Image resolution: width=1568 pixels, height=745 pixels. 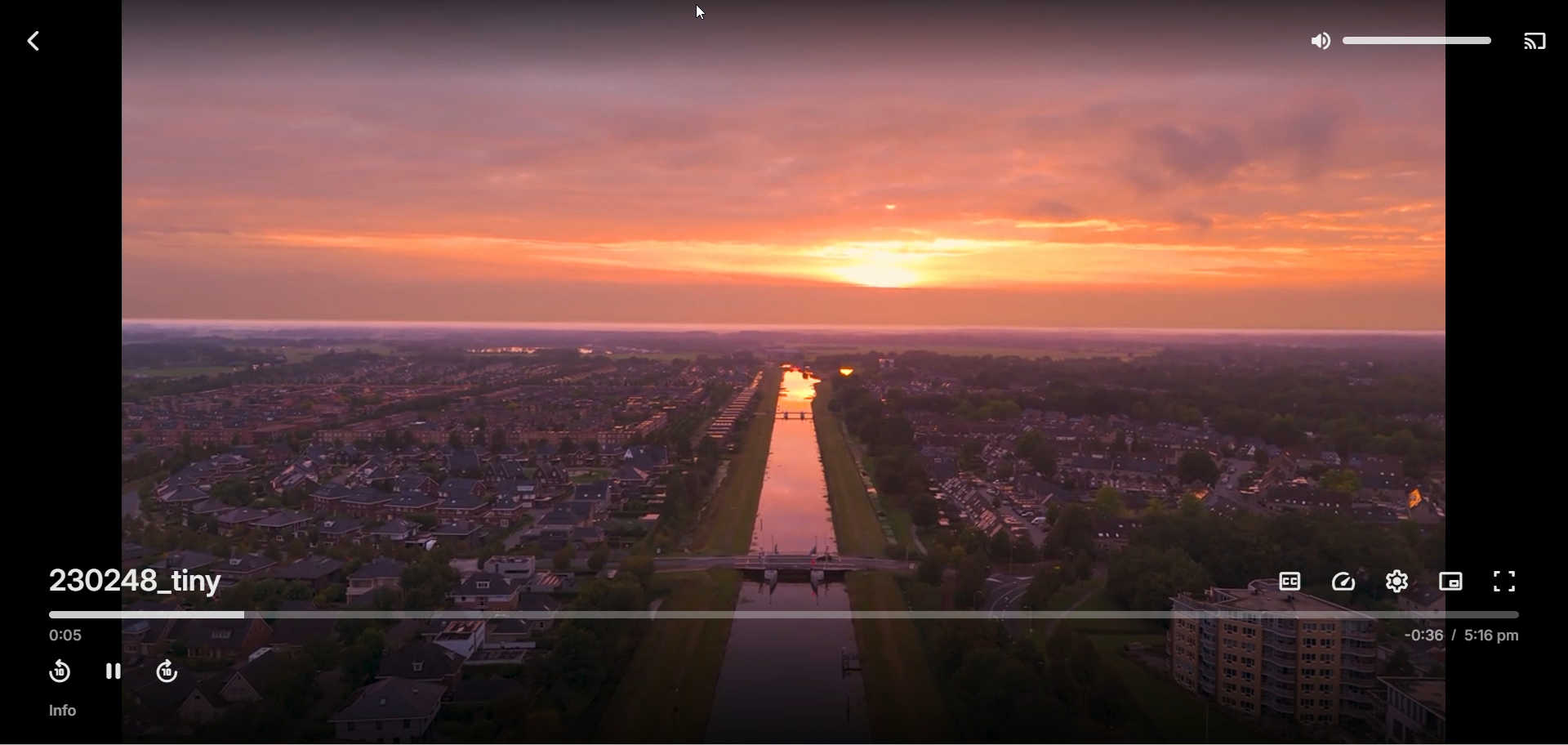 What do you see at coordinates (787, 615) in the screenshot?
I see `timeline` at bounding box center [787, 615].